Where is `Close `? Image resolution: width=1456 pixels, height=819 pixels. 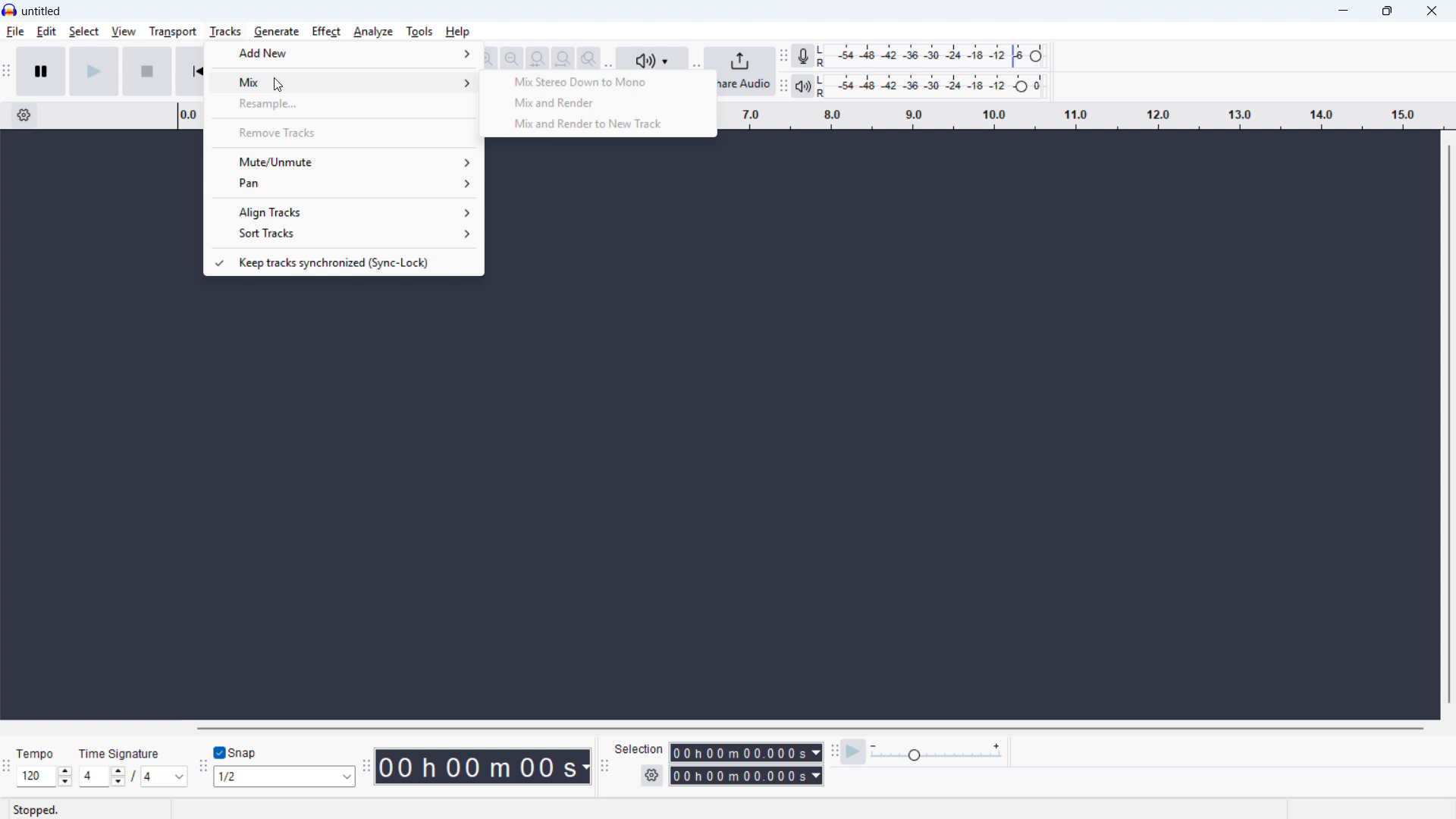
Close  is located at coordinates (1432, 11).